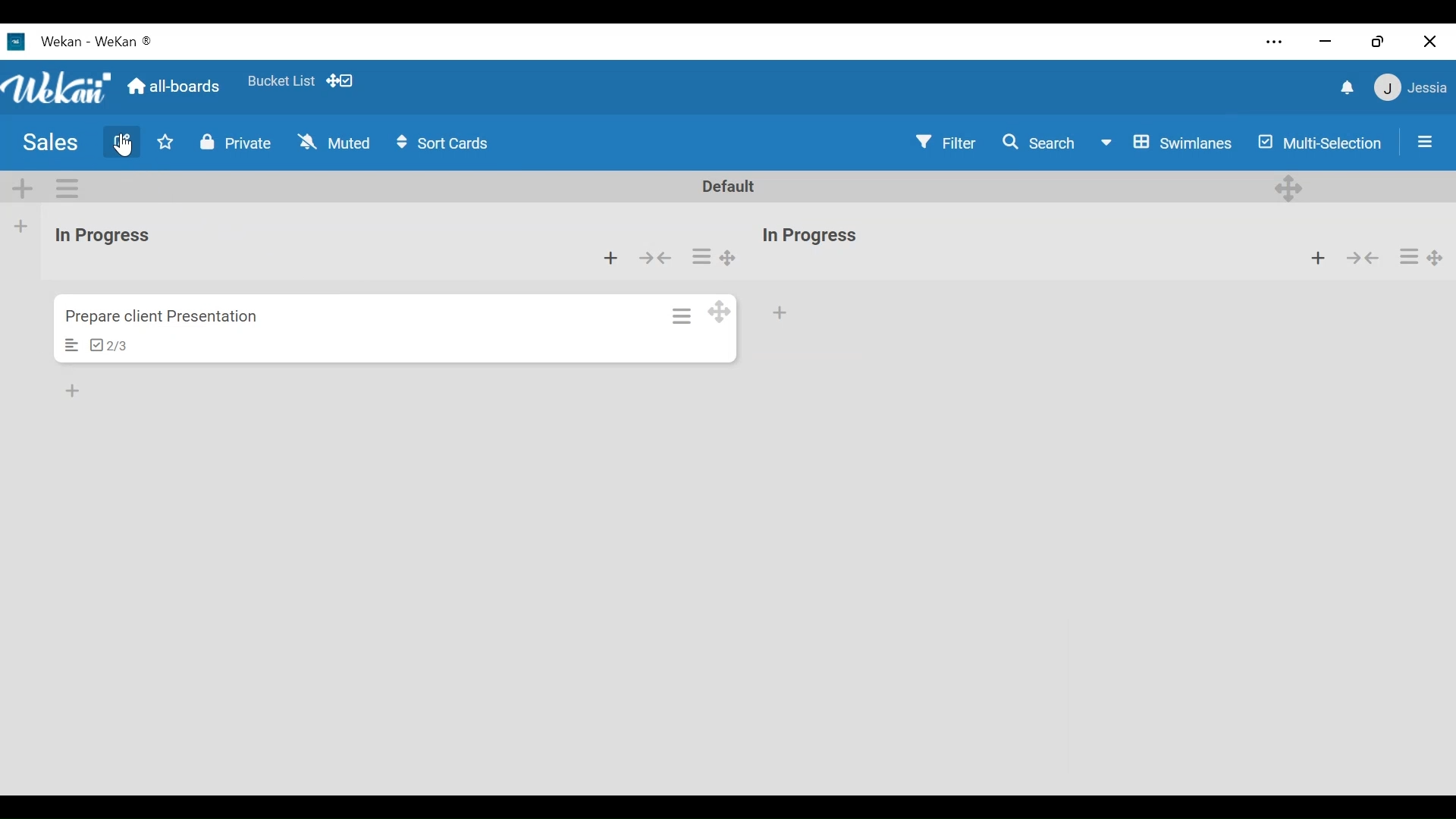  What do you see at coordinates (1349, 88) in the screenshot?
I see `notifications` at bounding box center [1349, 88].